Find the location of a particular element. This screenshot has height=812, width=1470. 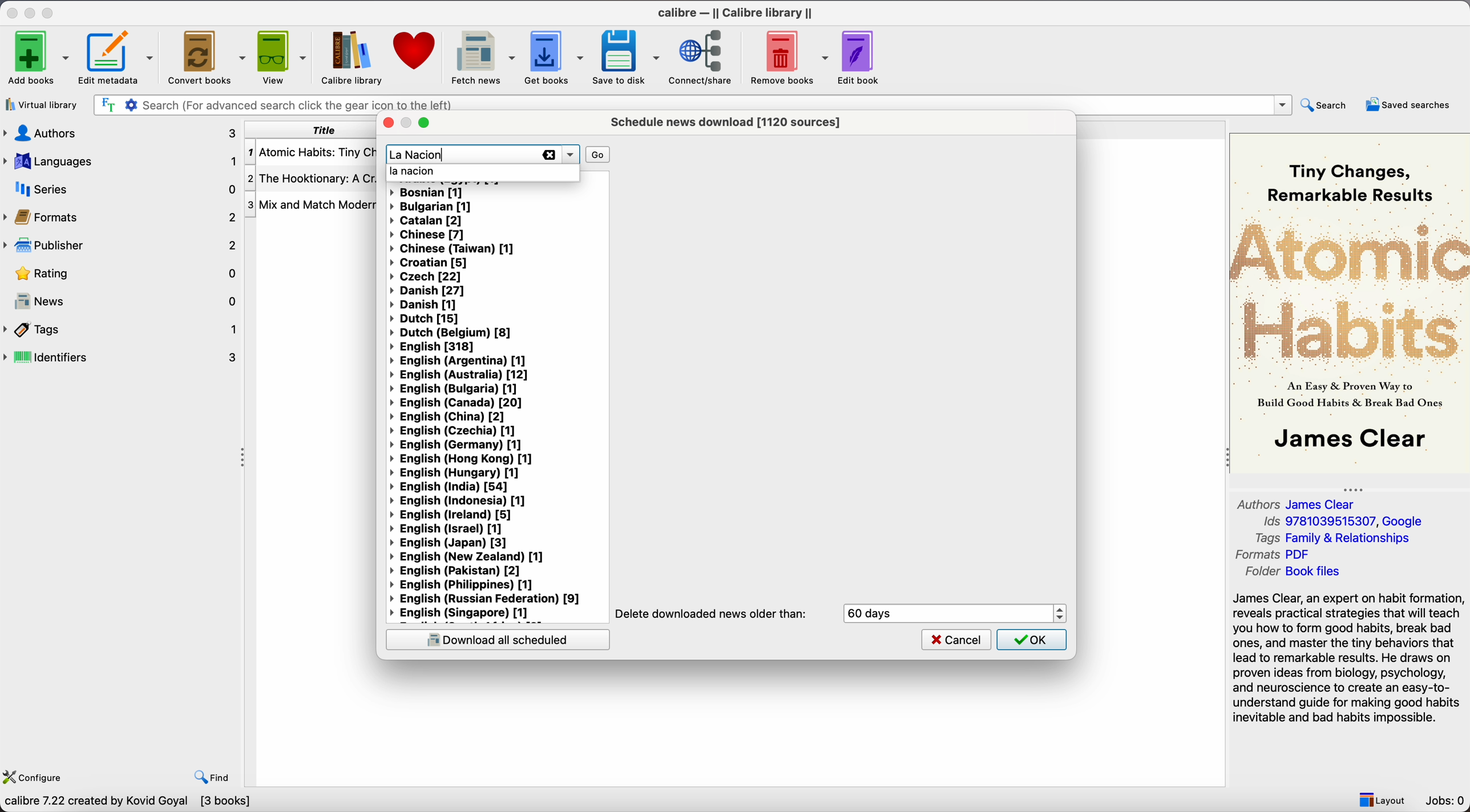

Croatian is located at coordinates (429, 262).